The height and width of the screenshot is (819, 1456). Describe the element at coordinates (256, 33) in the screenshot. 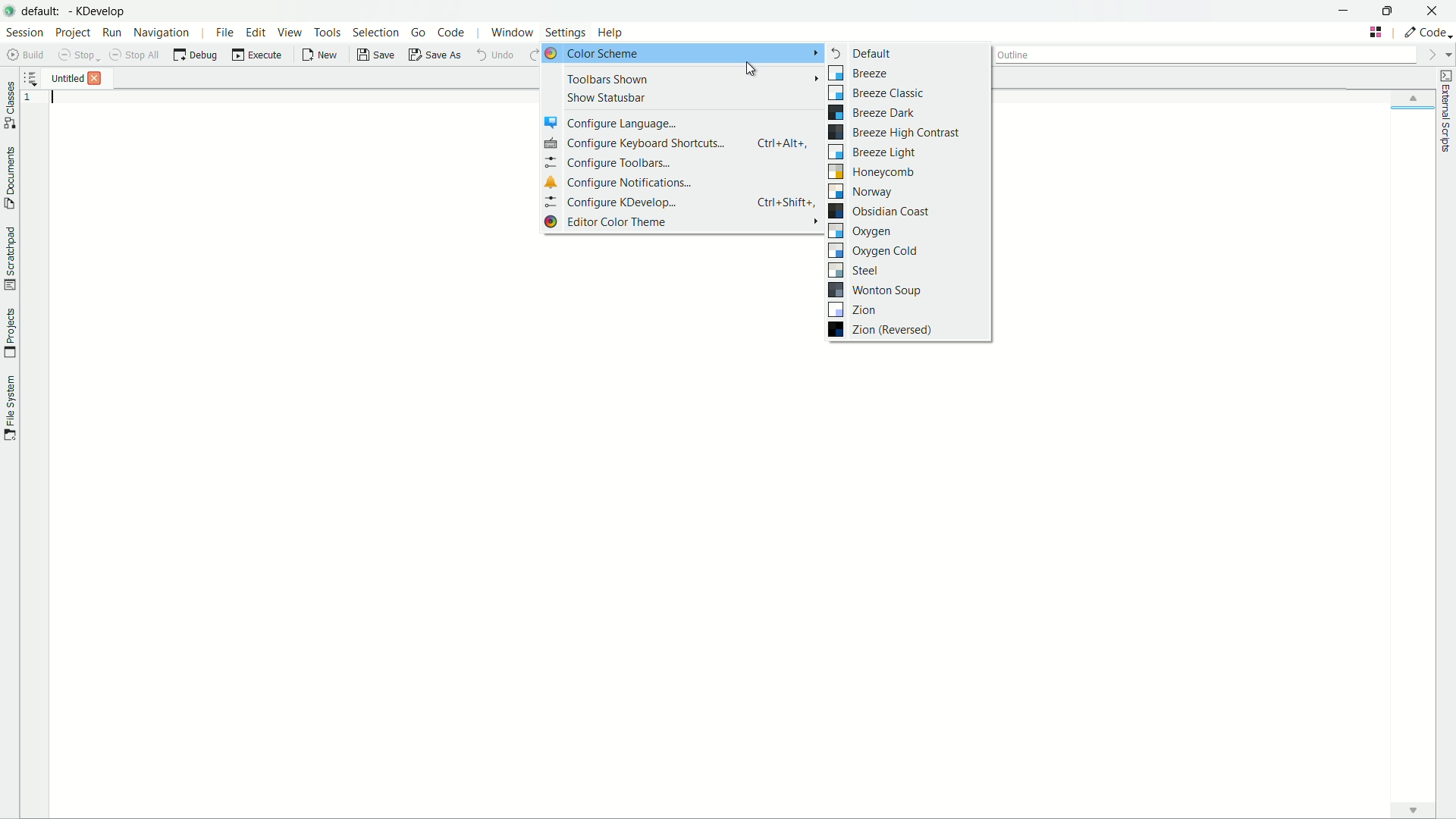

I see `edit` at that location.